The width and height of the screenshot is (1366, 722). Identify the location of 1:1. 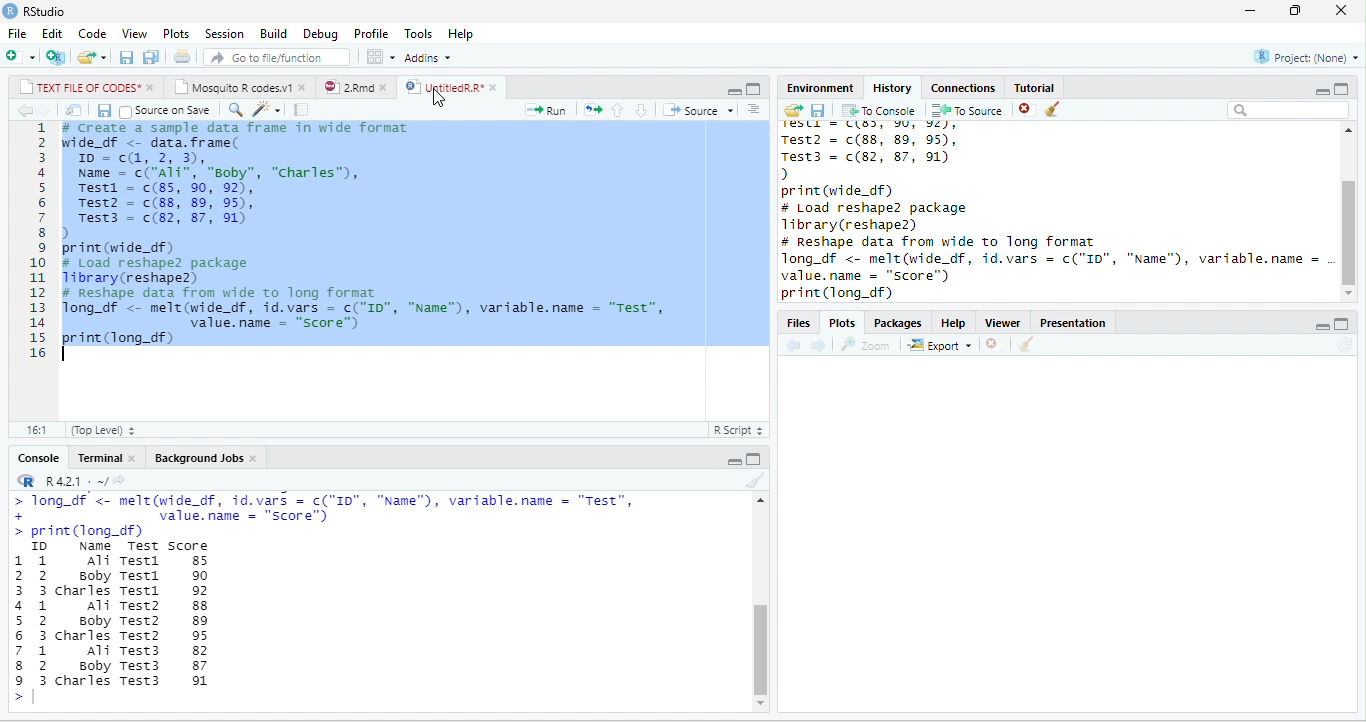
(35, 430).